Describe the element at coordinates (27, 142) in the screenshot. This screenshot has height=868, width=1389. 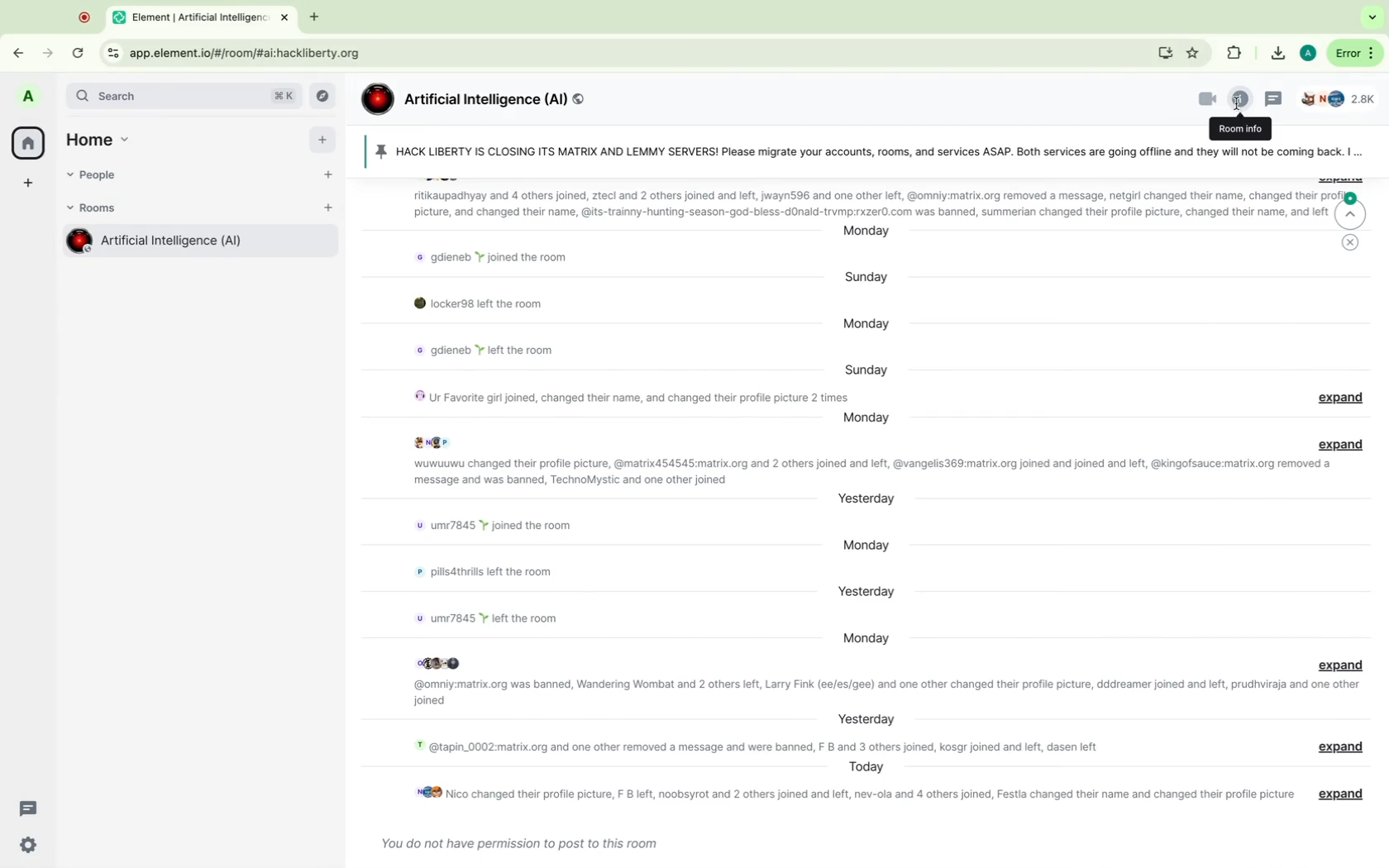
I see `home` at that location.